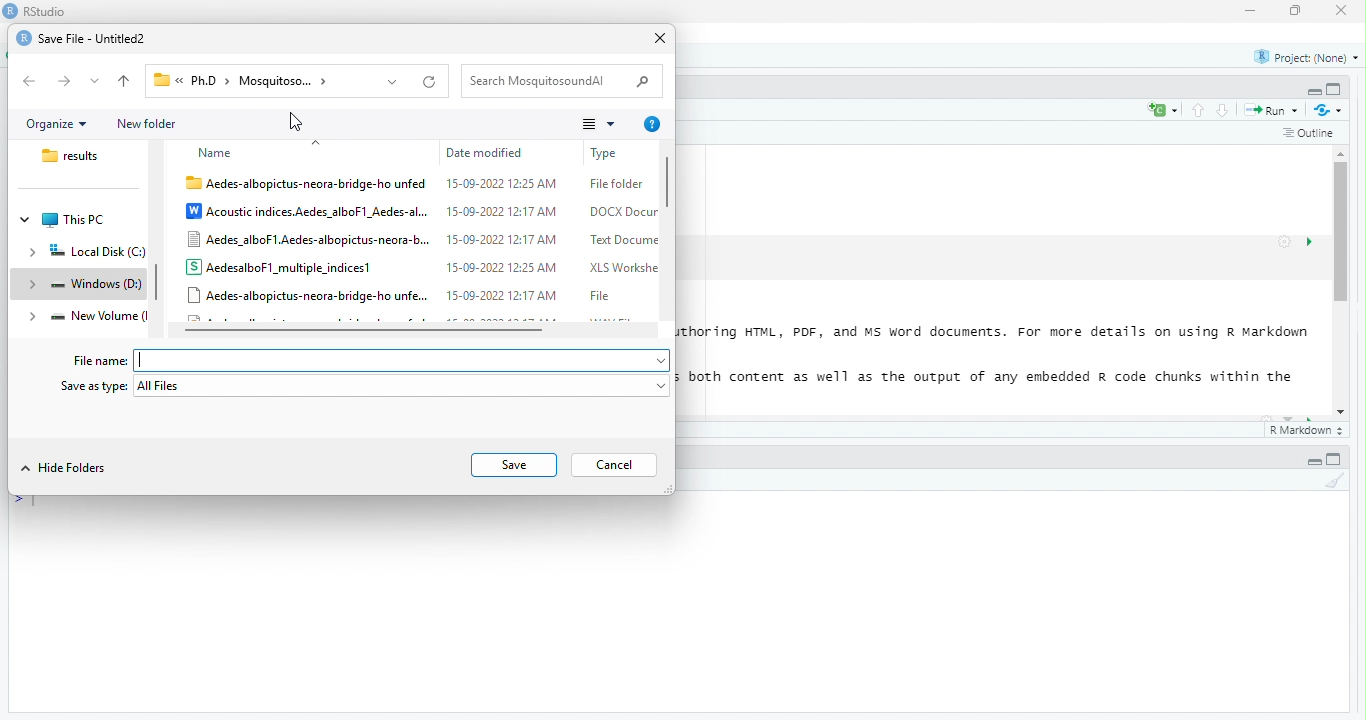  I want to click on insights, so click(1310, 242).